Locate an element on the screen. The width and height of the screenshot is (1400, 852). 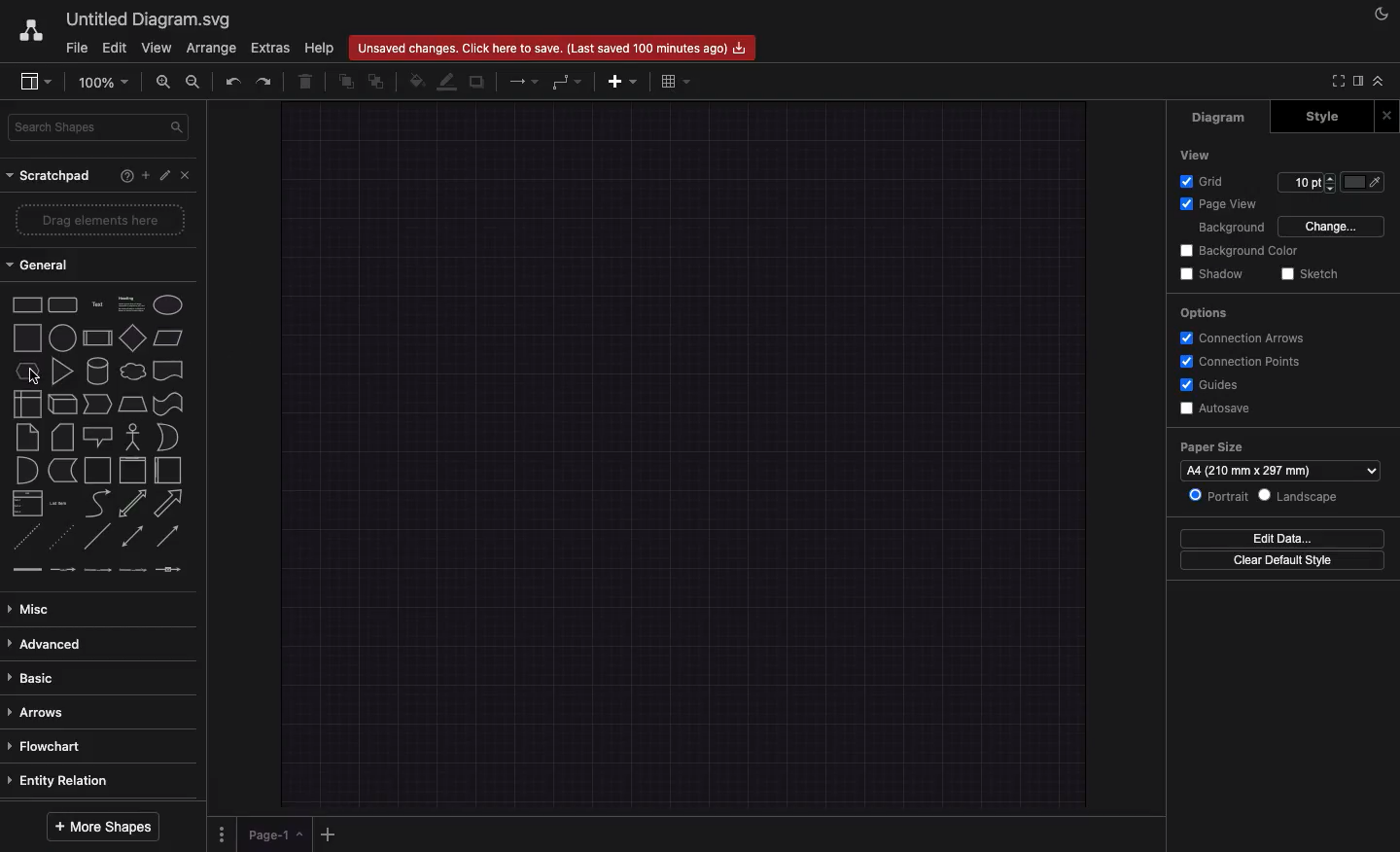
Arrange is located at coordinates (211, 49).